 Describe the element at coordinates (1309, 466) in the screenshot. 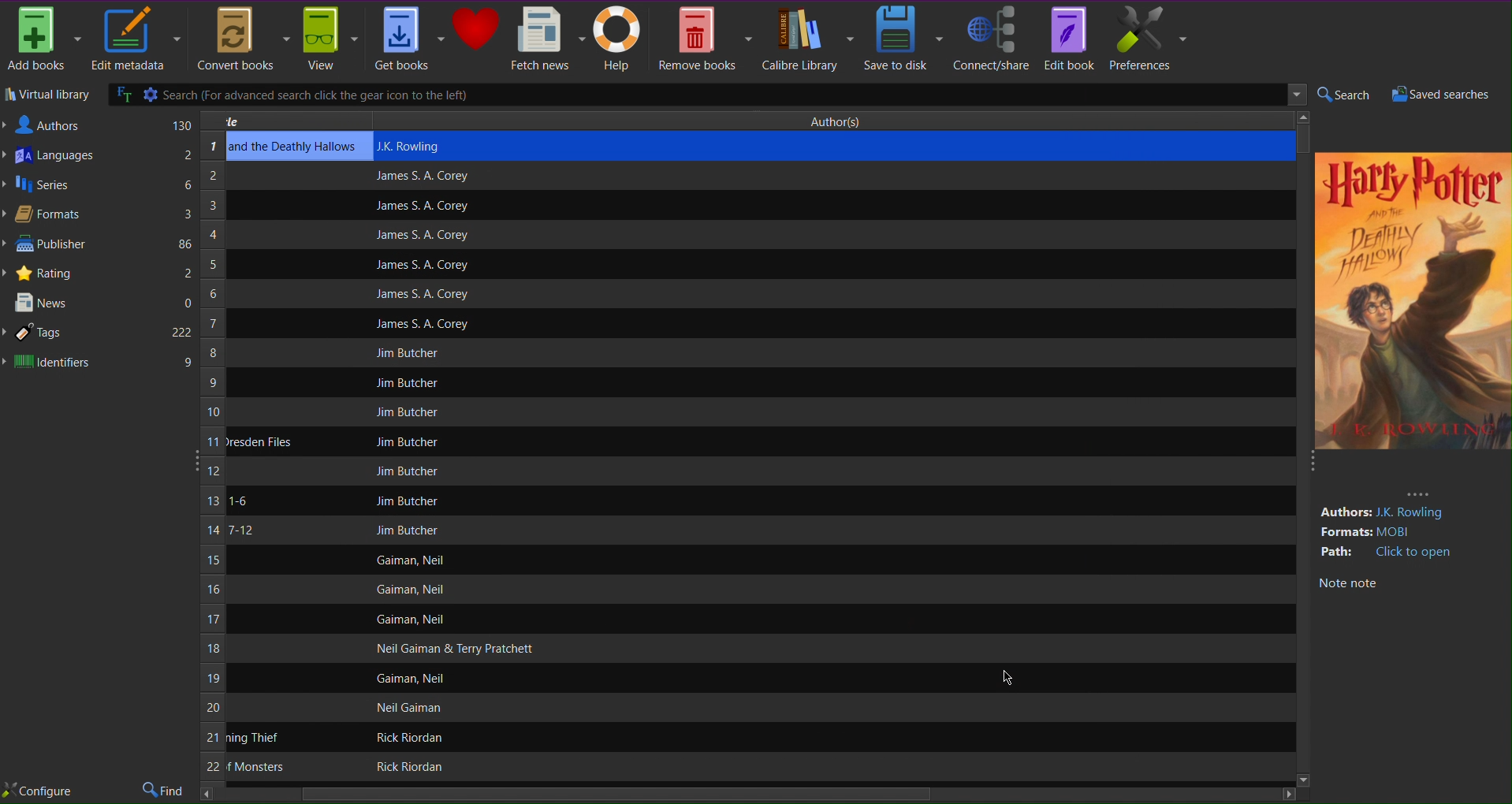

I see `close collapse` at that location.